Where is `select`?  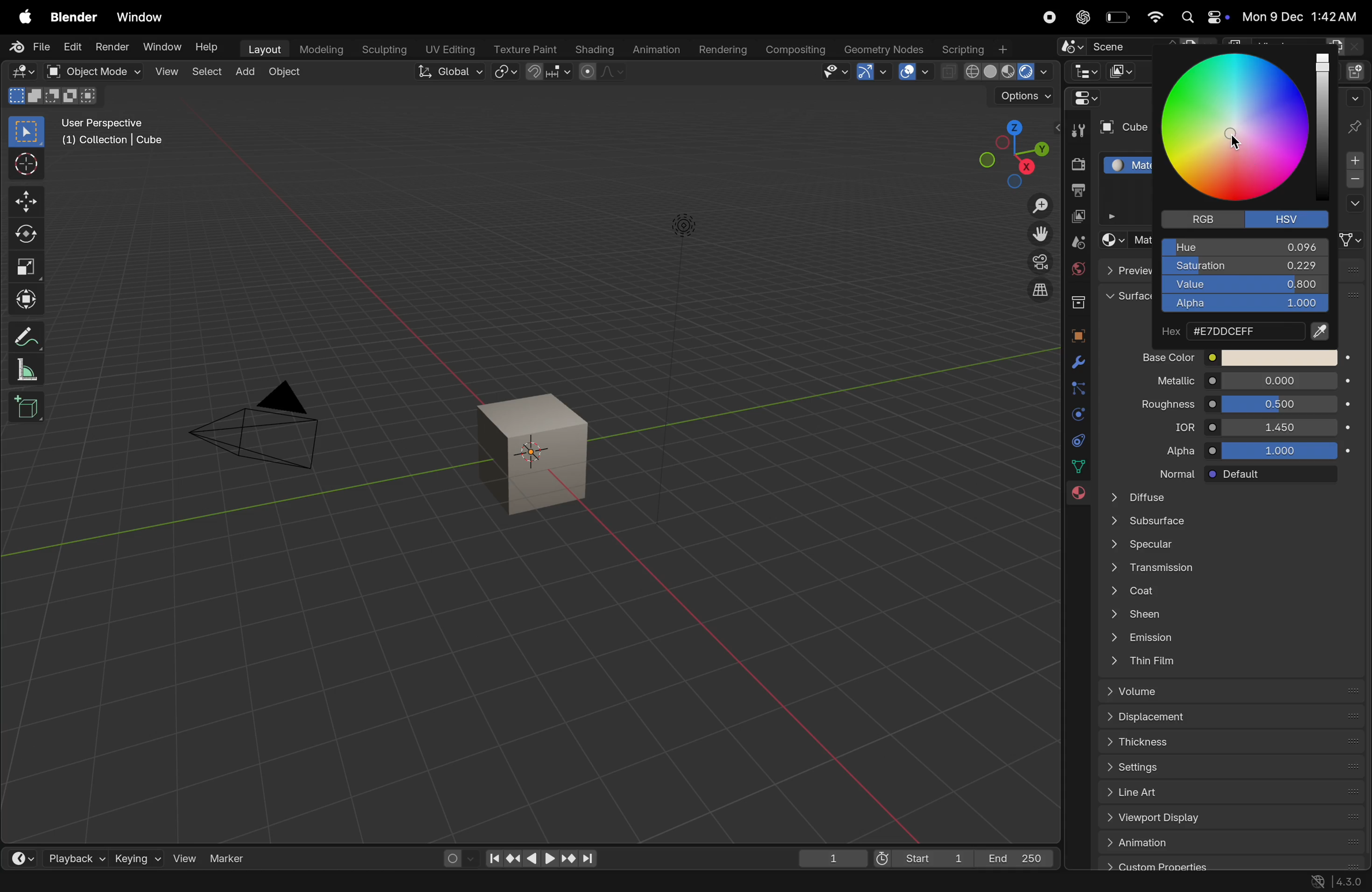
select is located at coordinates (207, 74).